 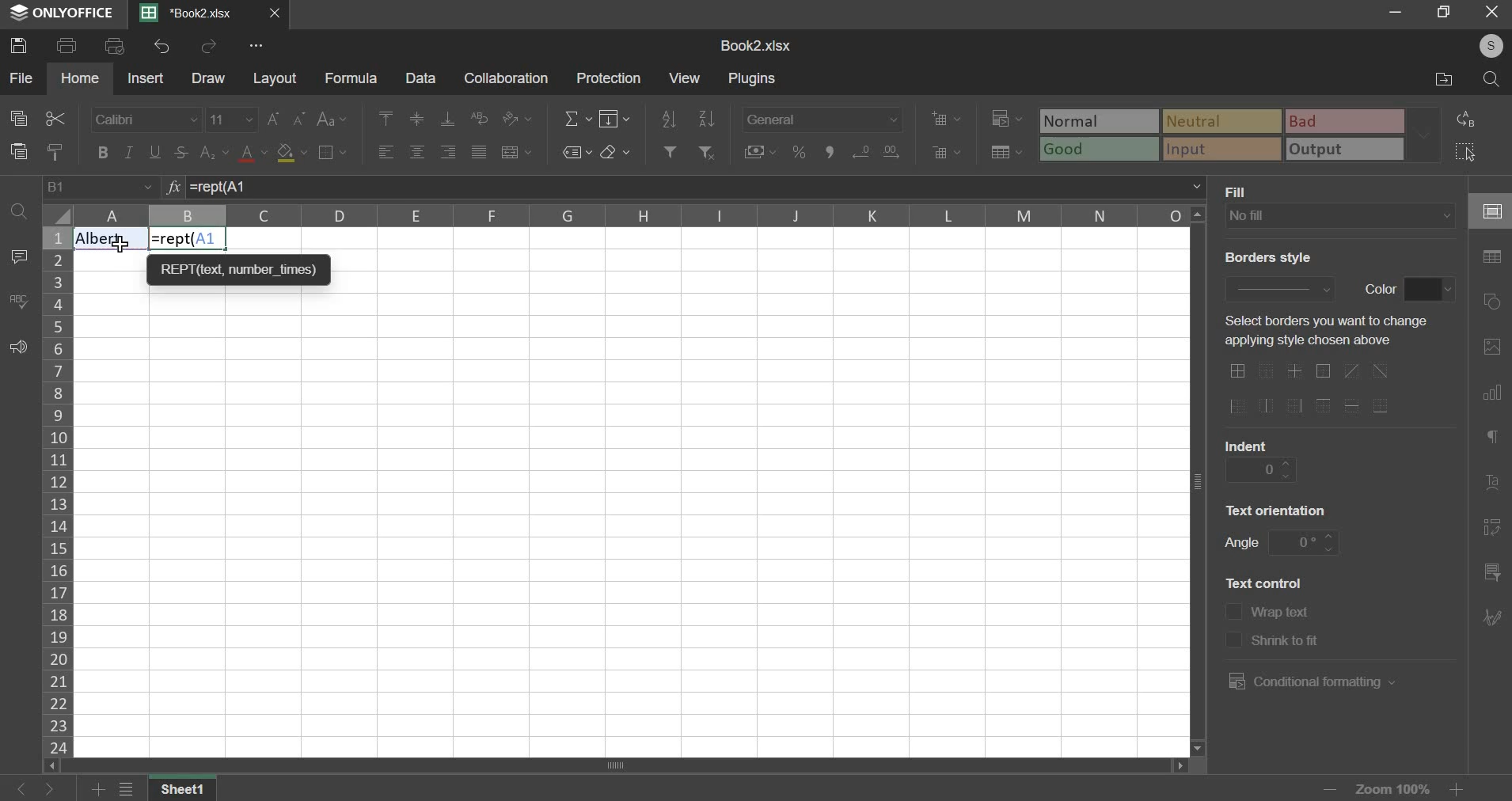 I want to click on text, so click(x=1381, y=291).